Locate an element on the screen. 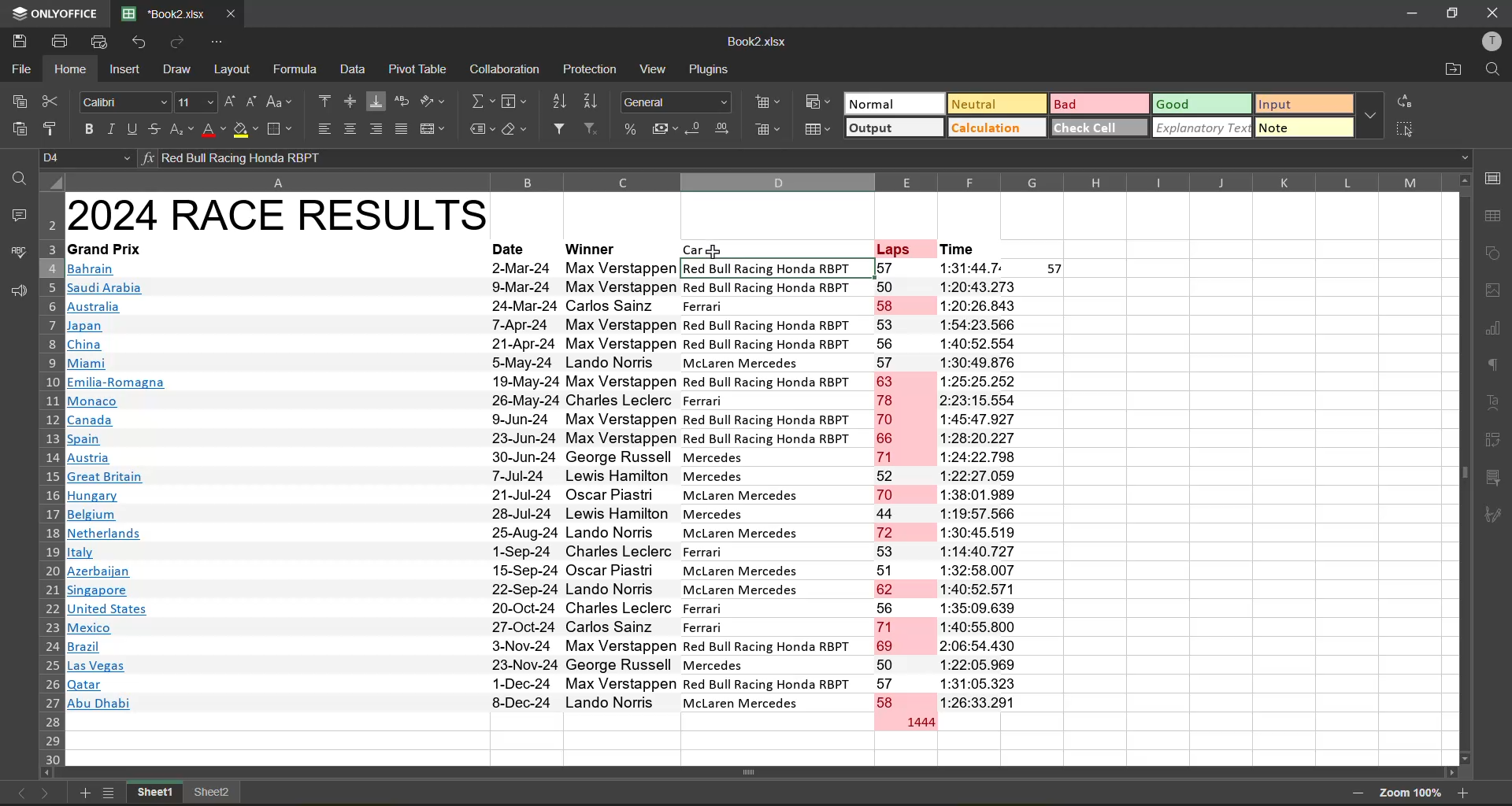 The width and height of the screenshot is (1512, 806). font size is located at coordinates (195, 102).